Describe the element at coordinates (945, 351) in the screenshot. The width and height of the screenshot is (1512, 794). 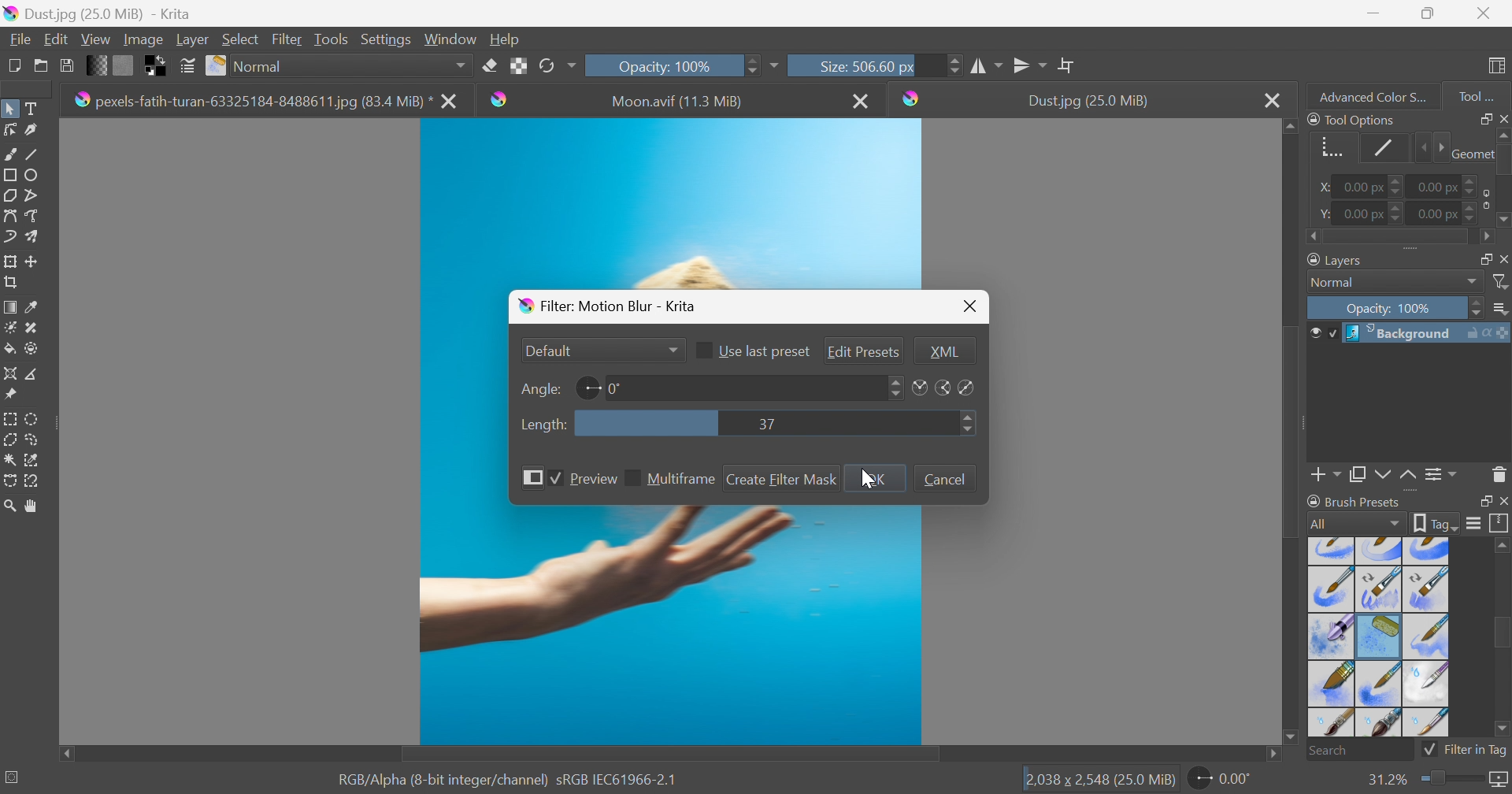
I see `XML` at that location.